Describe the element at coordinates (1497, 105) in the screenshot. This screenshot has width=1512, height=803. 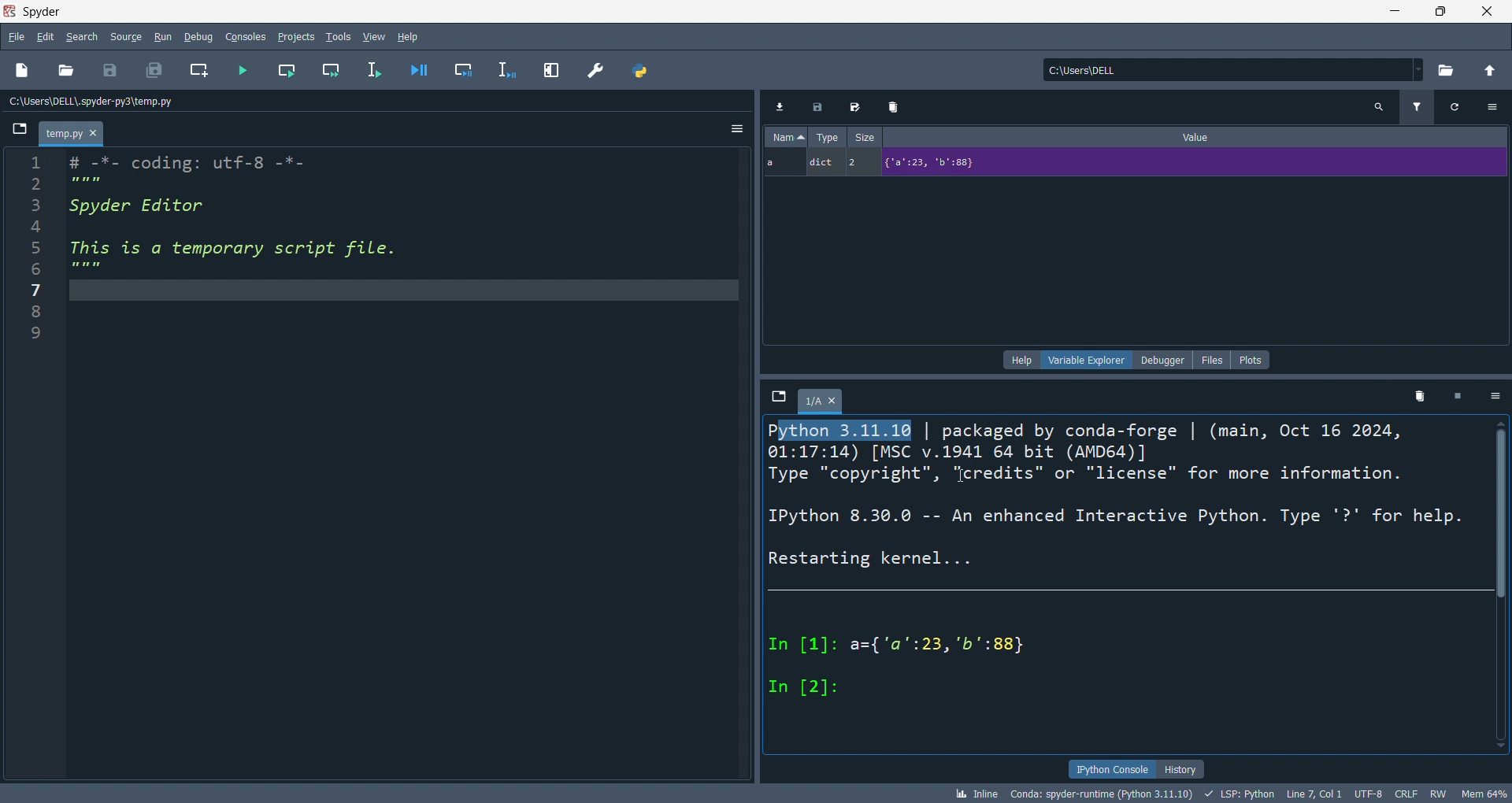
I see `options` at that location.